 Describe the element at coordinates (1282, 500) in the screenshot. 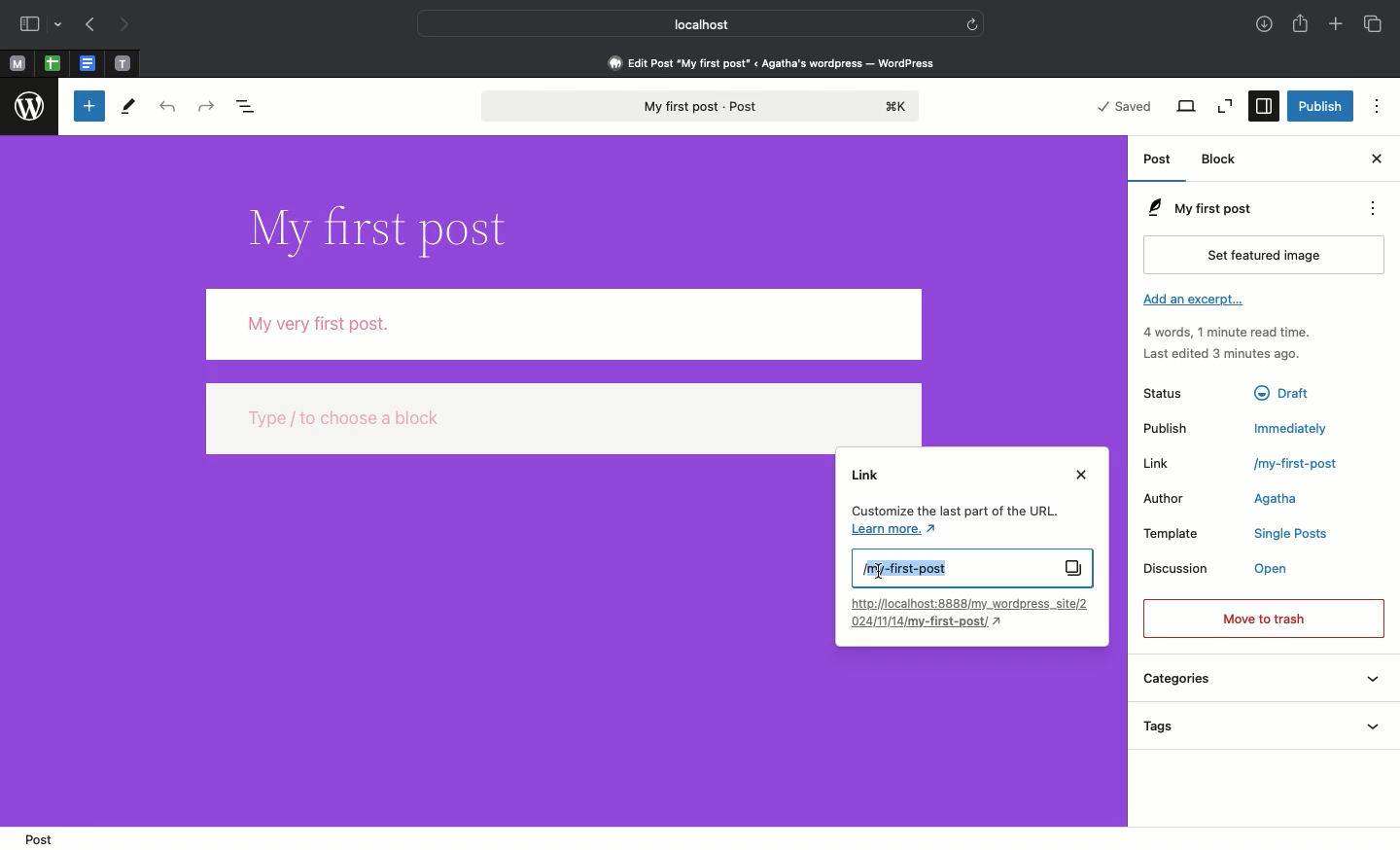

I see `Agatha` at that location.